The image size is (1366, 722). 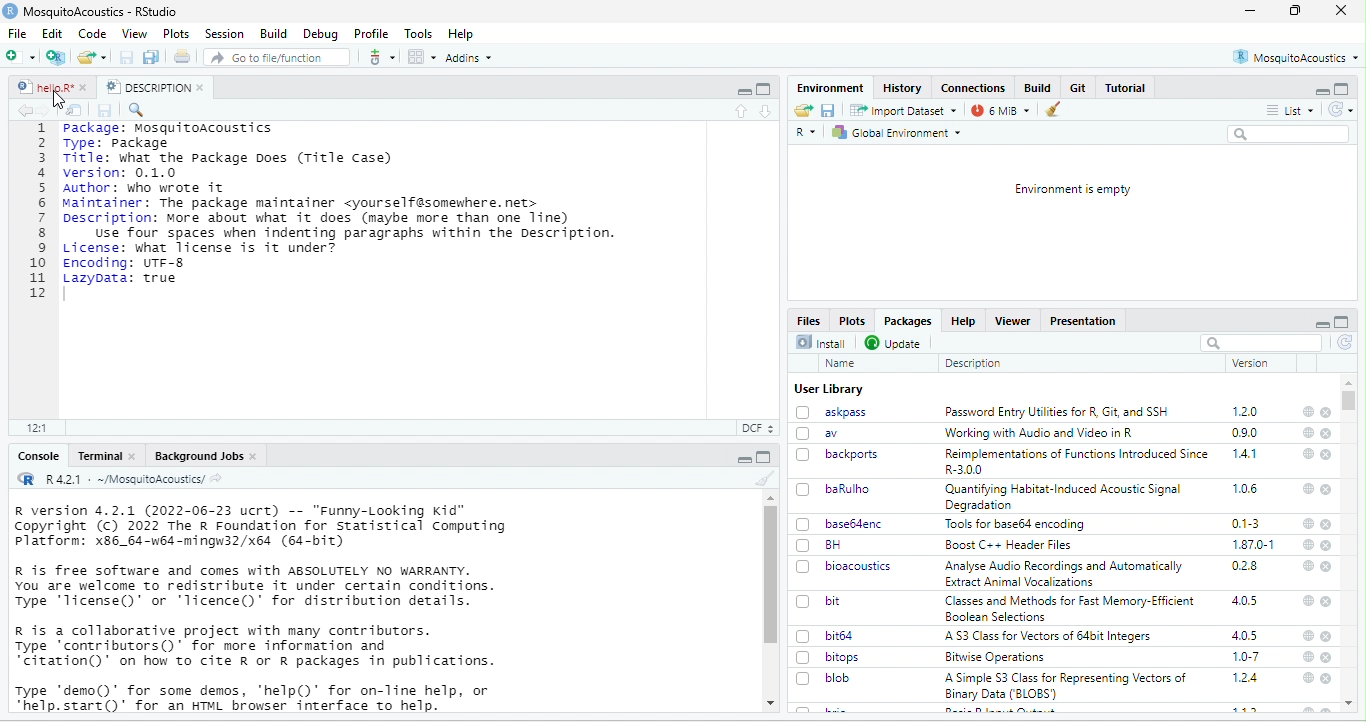 What do you see at coordinates (21, 110) in the screenshot?
I see `backward` at bounding box center [21, 110].